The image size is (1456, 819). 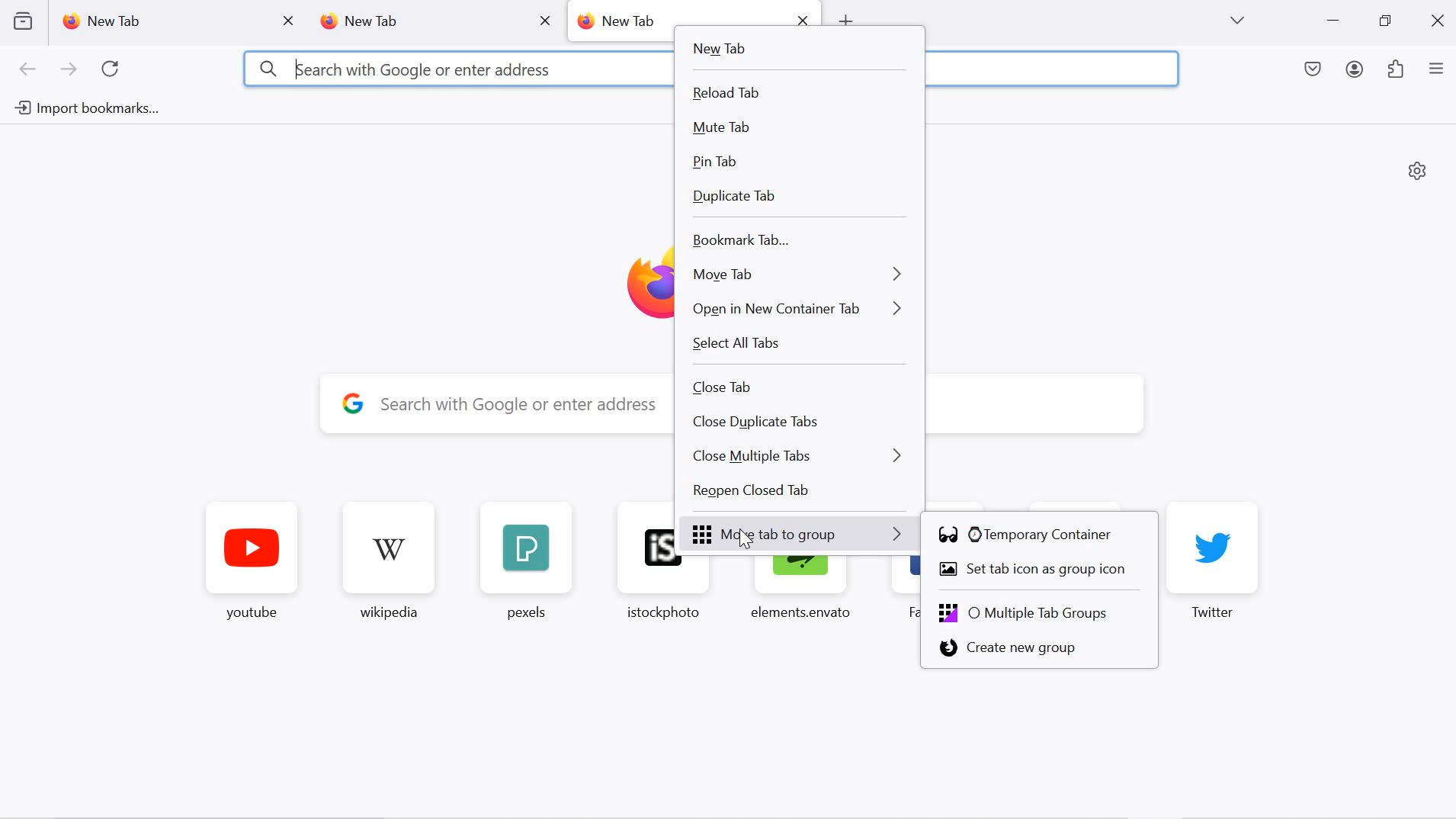 What do you see at coordinates (797, 345) in the screenshot?
I see `select all tabs` at bounding box center [797, 345].